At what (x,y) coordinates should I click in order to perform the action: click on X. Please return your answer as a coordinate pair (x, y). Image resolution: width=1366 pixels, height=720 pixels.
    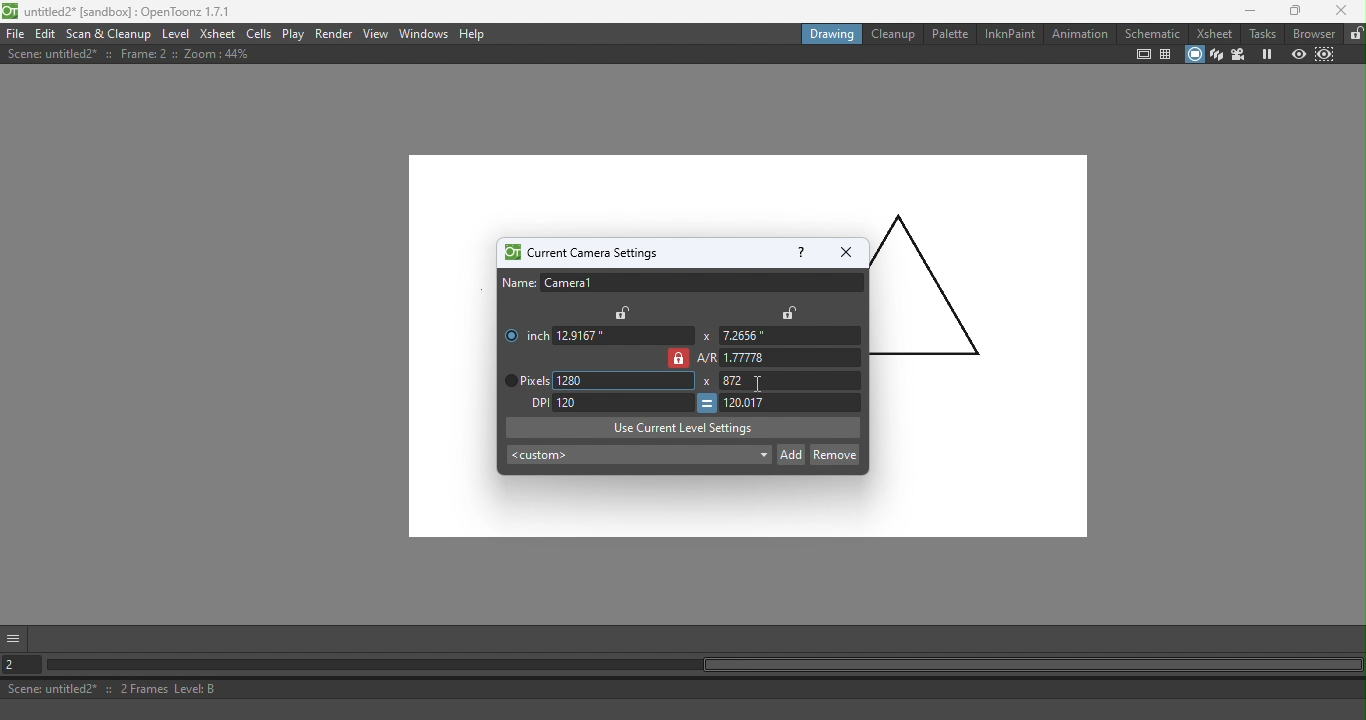
    Looking at the image, I should click on (705, 336).